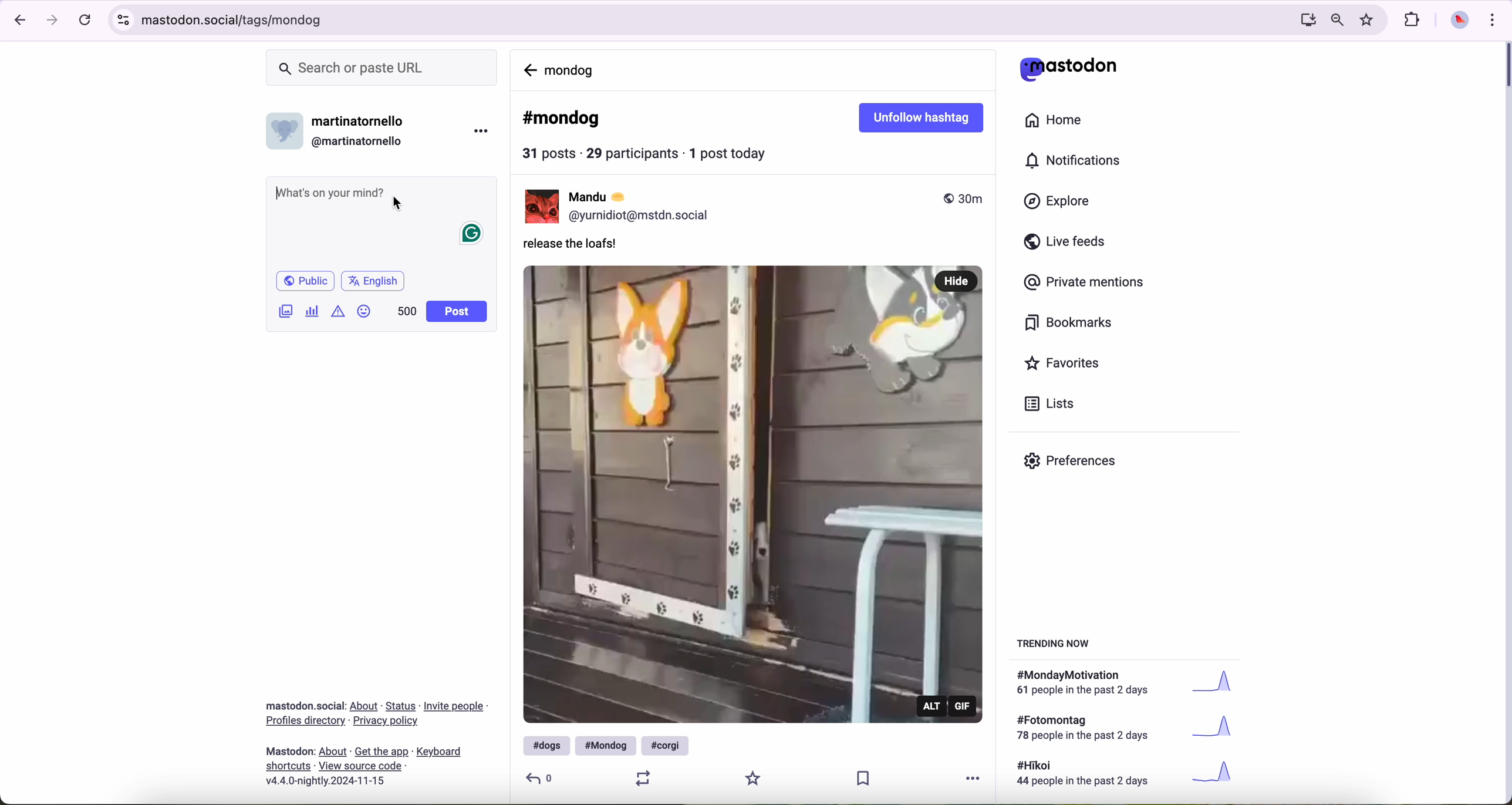 This screenshot has width=1512, height=805. What do you see at coordinates (302, 706) in the screenshot?
I see `Mastodon social` at bounding box center [302, 706].